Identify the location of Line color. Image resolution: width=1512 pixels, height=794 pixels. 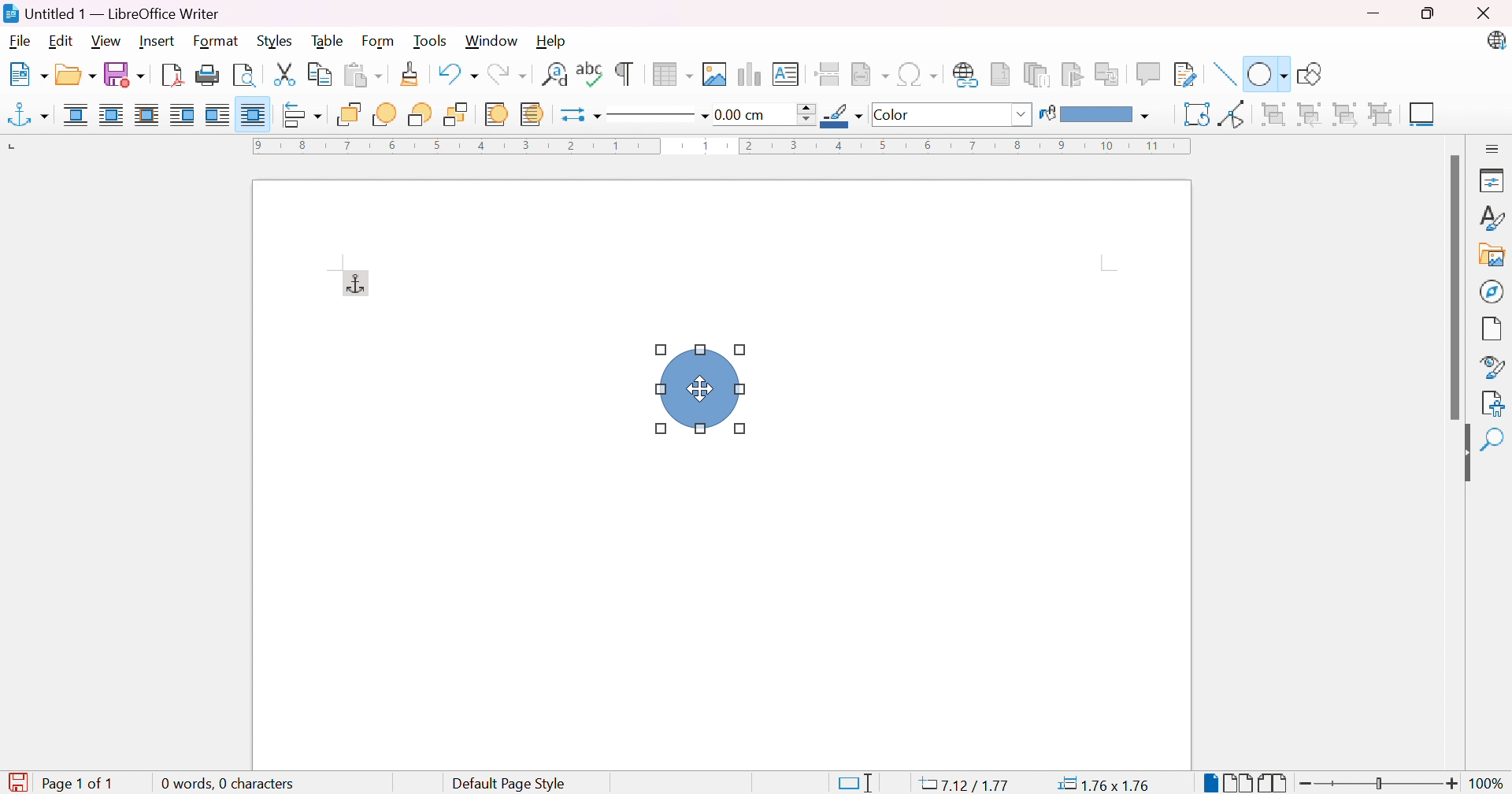
(842, 115).